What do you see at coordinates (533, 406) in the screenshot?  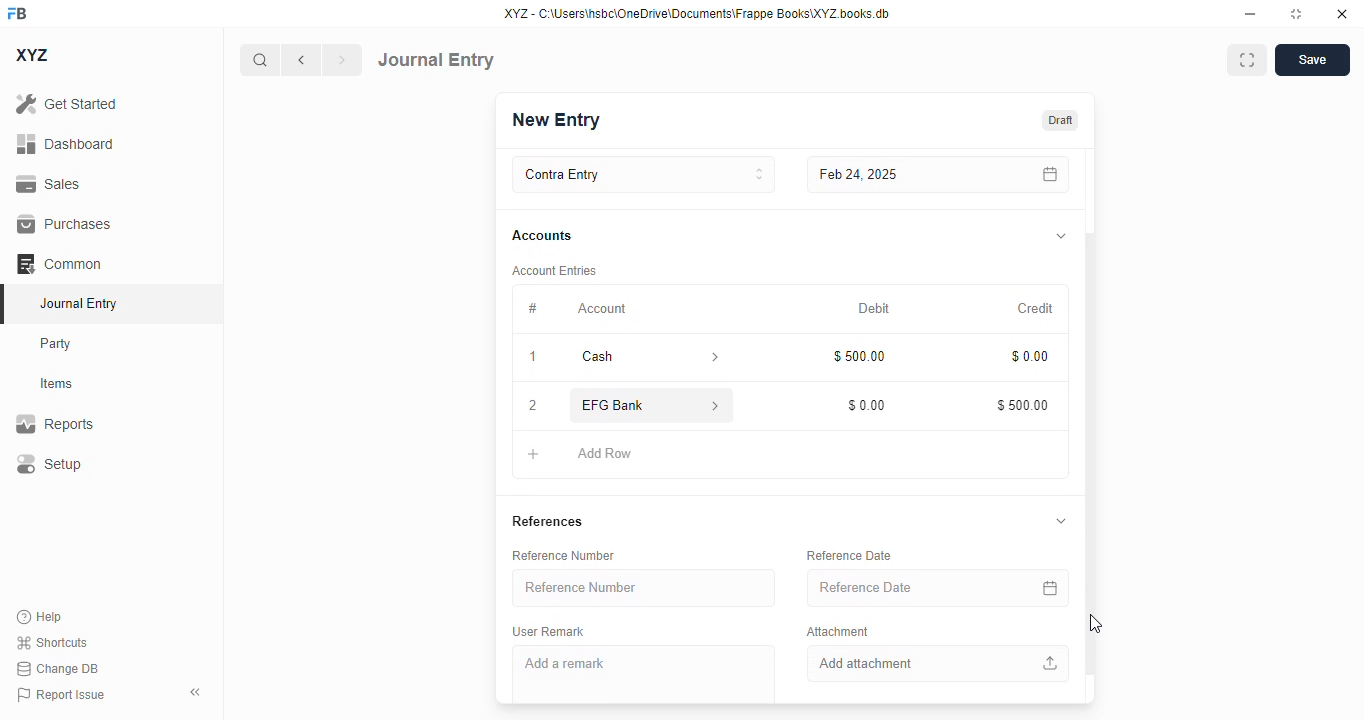 I see `2` at bounding box center [533, 406].